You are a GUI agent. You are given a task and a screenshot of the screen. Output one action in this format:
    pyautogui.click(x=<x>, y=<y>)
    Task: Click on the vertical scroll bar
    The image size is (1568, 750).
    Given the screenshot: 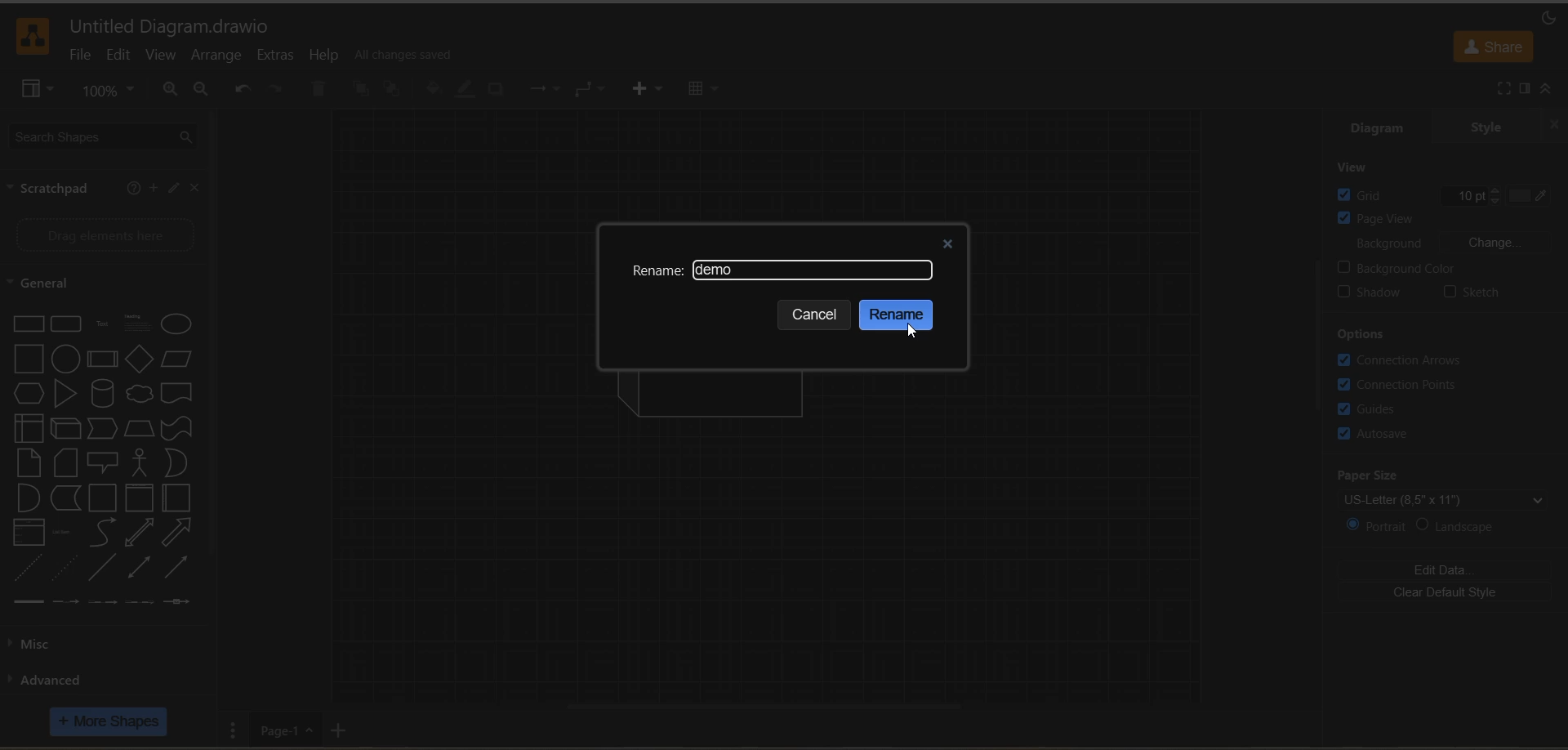 What is the action you would take?
    pyautogui.click(x=1319, y=335)
    